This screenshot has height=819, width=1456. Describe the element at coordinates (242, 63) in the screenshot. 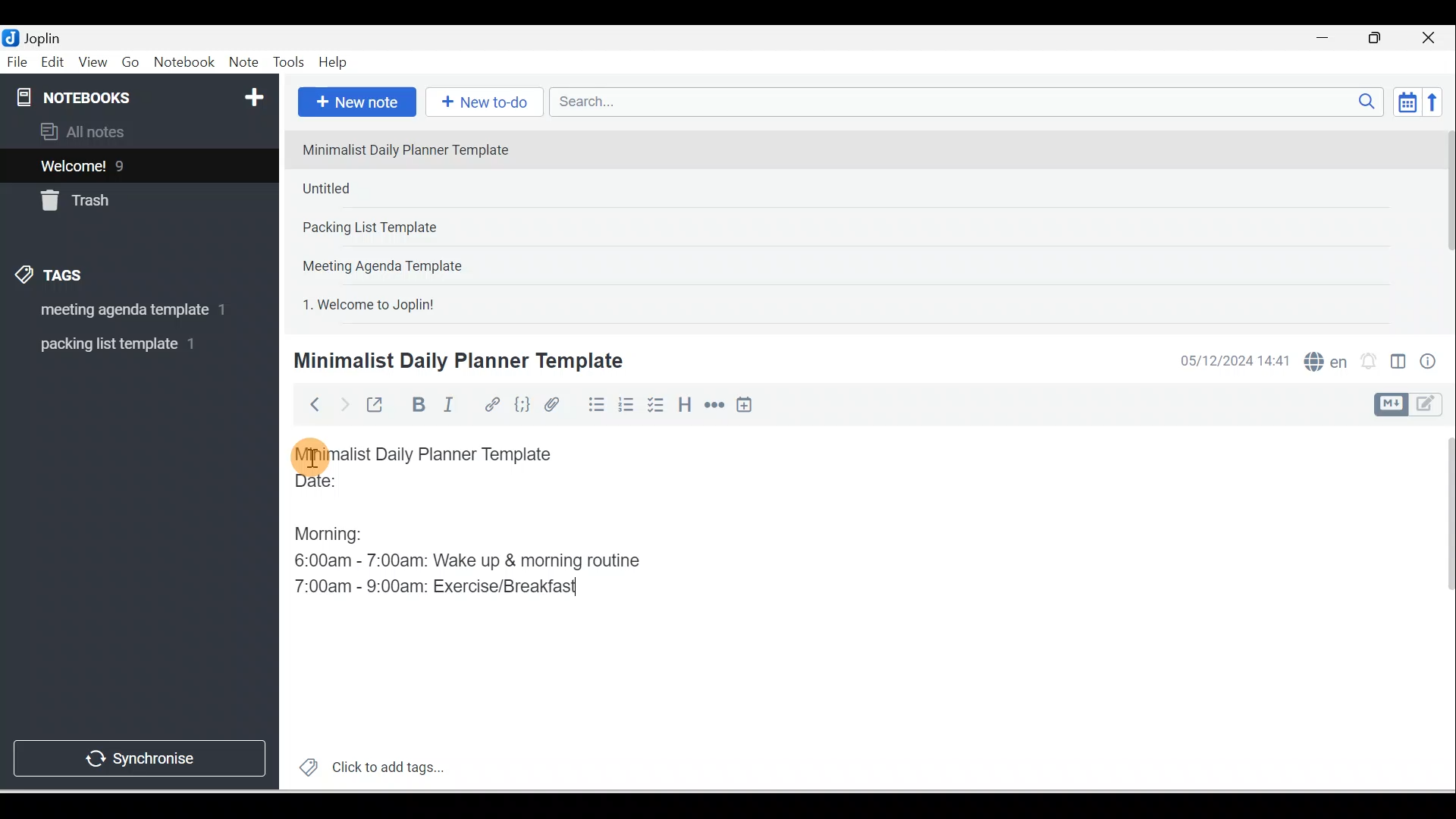

I see `Note` at that location.